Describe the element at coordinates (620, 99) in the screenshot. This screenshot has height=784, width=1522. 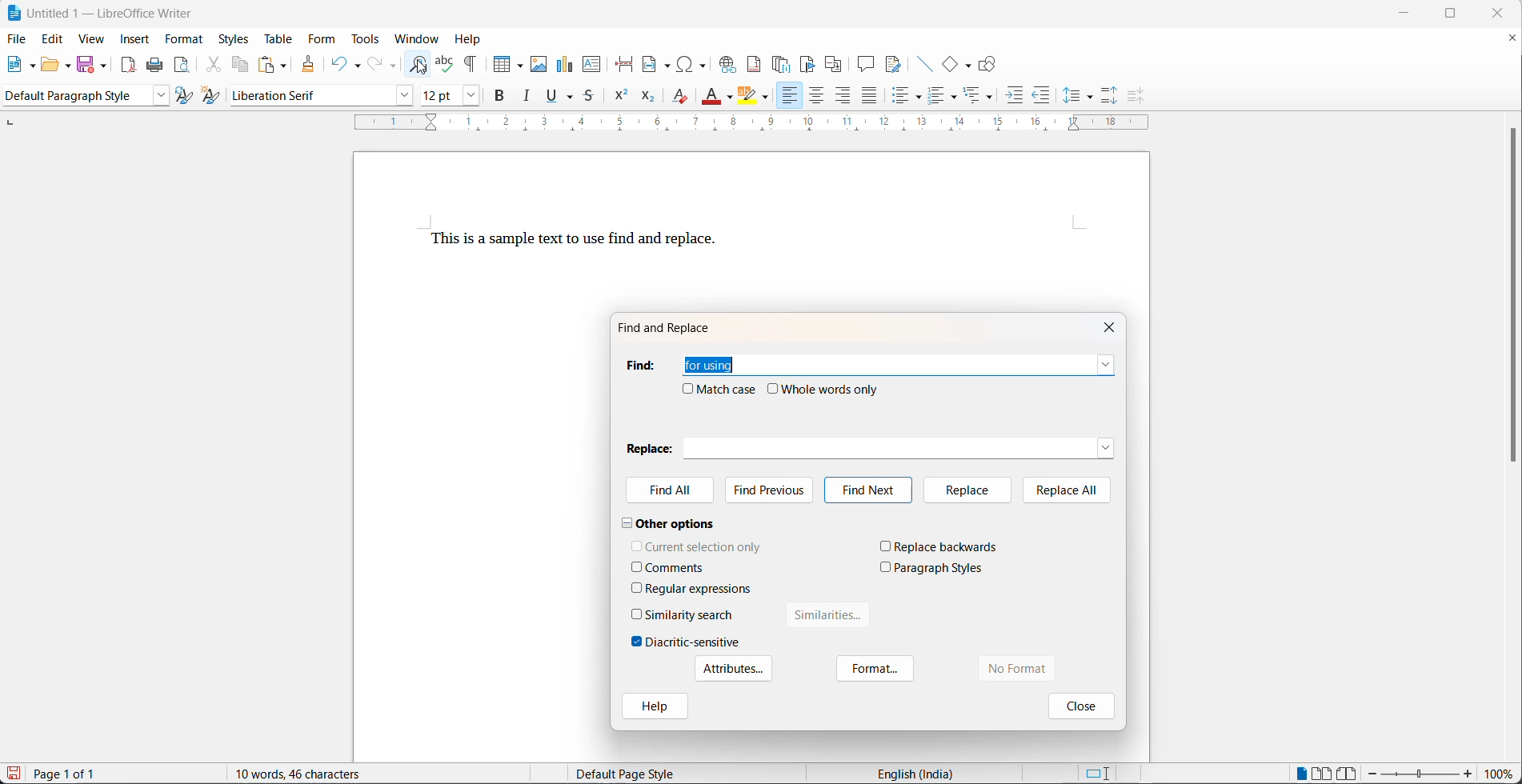
I see `superscript` at that location.